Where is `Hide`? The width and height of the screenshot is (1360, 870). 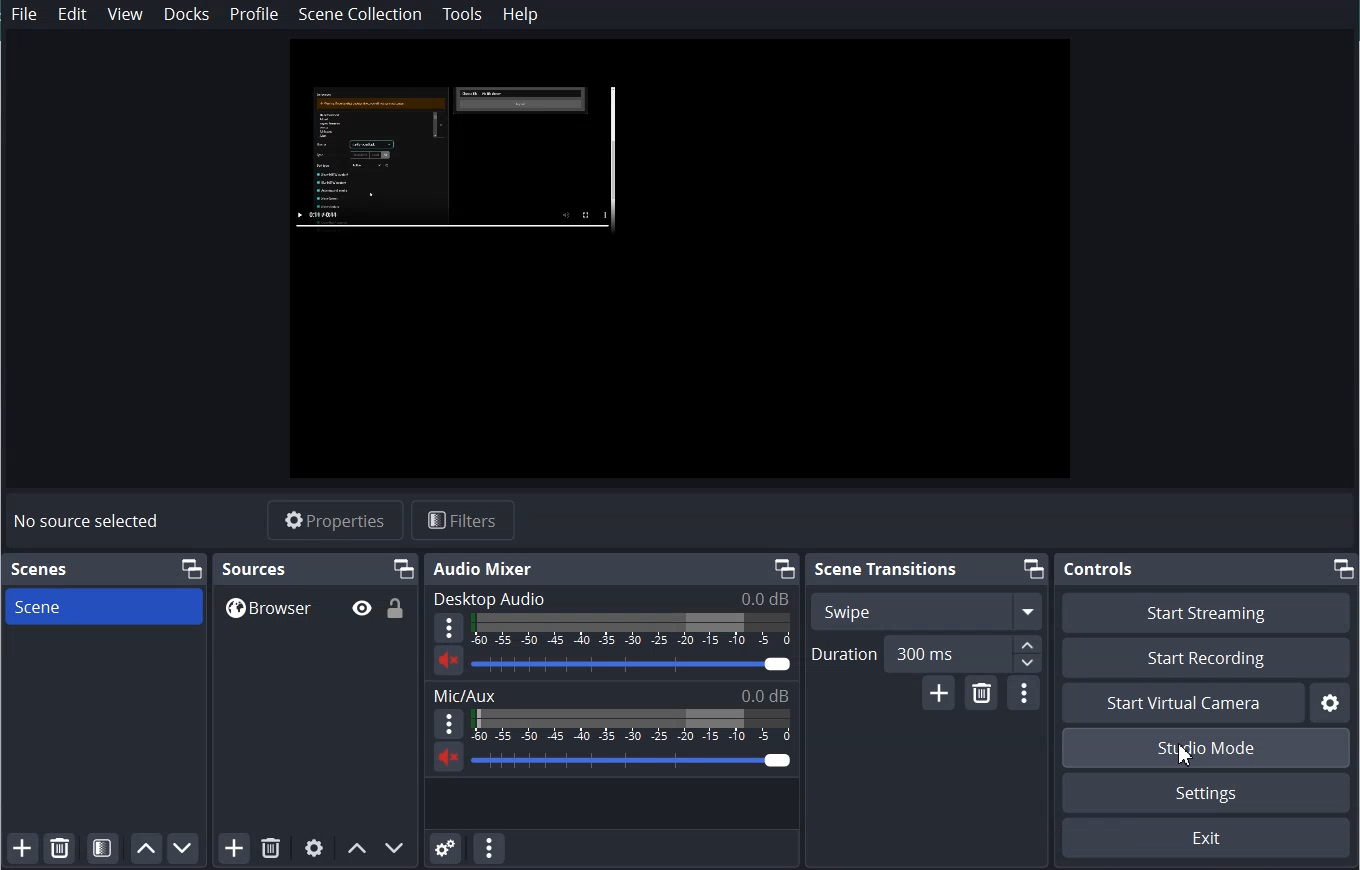
Hide is located at coordinates (361, 608).